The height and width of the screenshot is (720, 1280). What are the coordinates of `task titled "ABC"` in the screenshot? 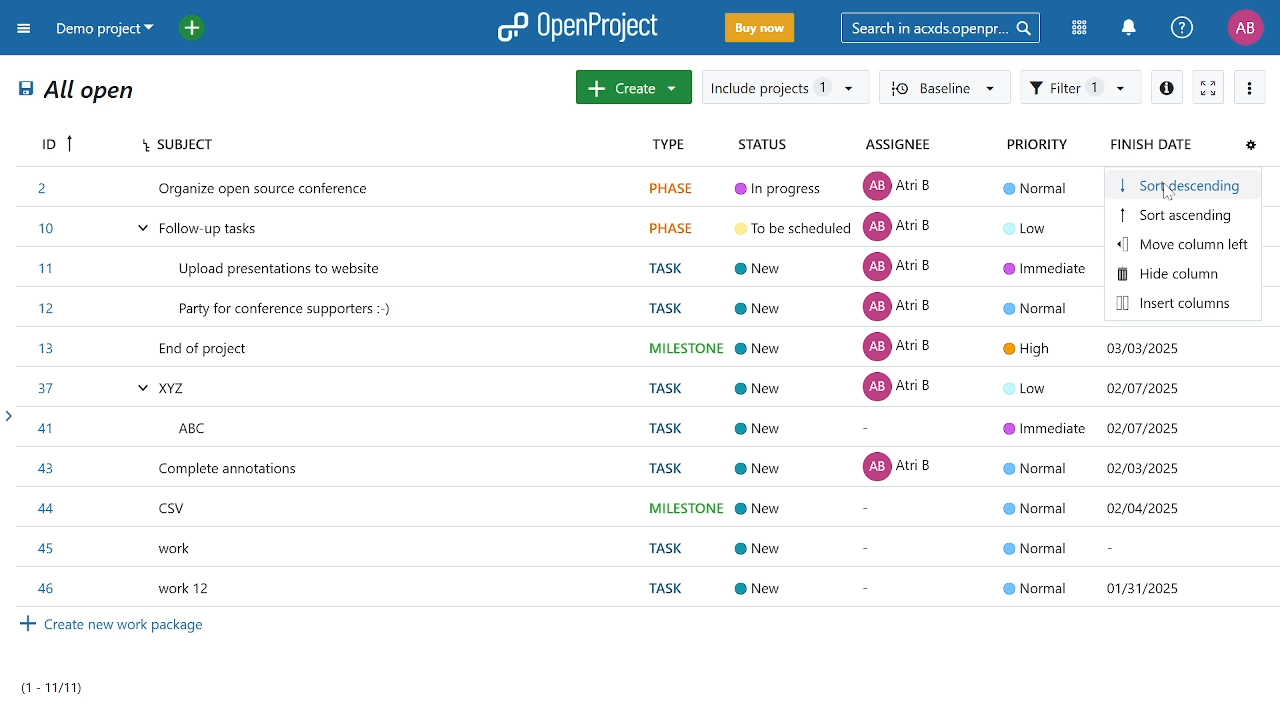 It's located at (647, 425).